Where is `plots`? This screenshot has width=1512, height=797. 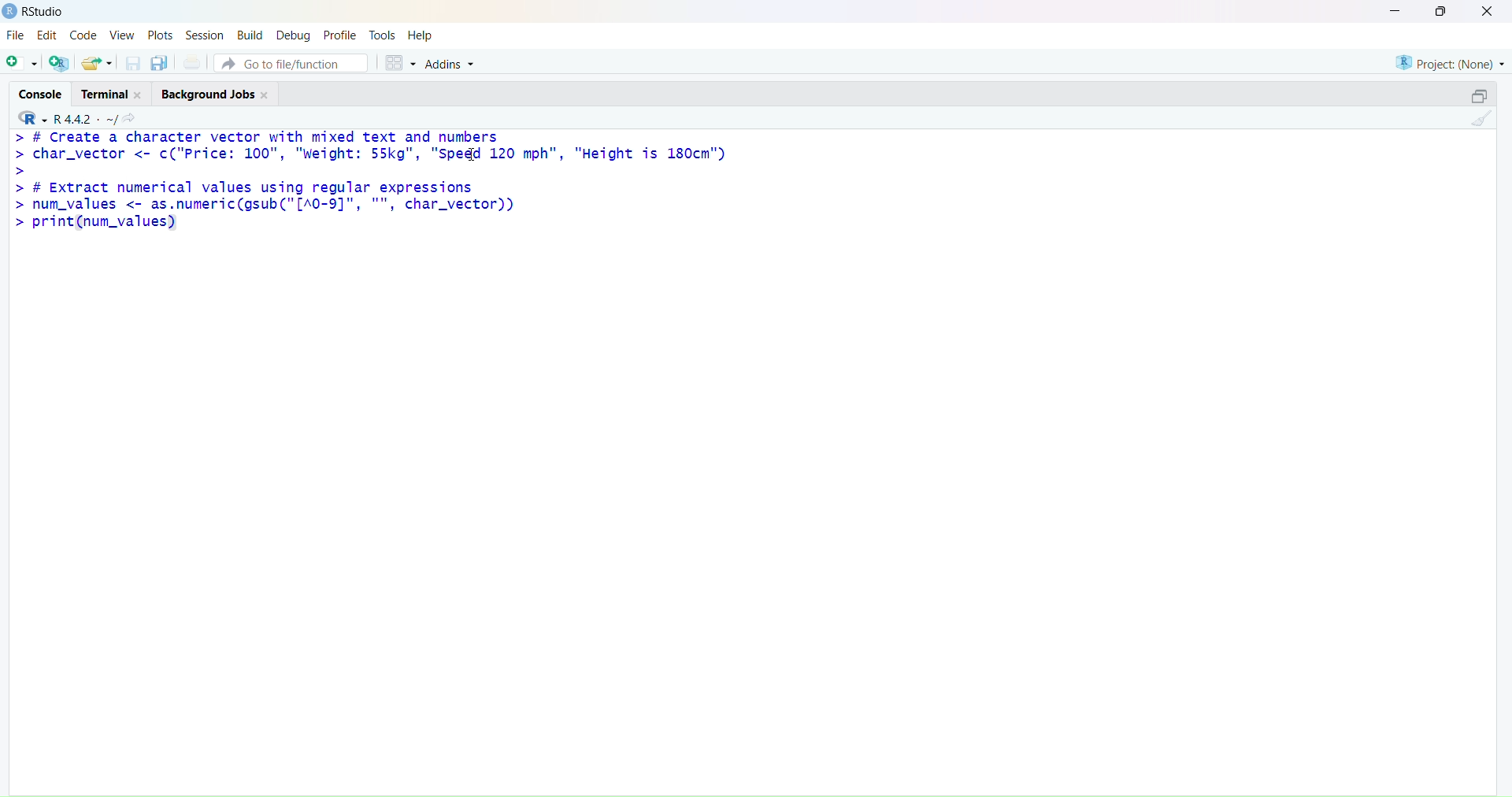 plots is located at coordinates (161, 36).